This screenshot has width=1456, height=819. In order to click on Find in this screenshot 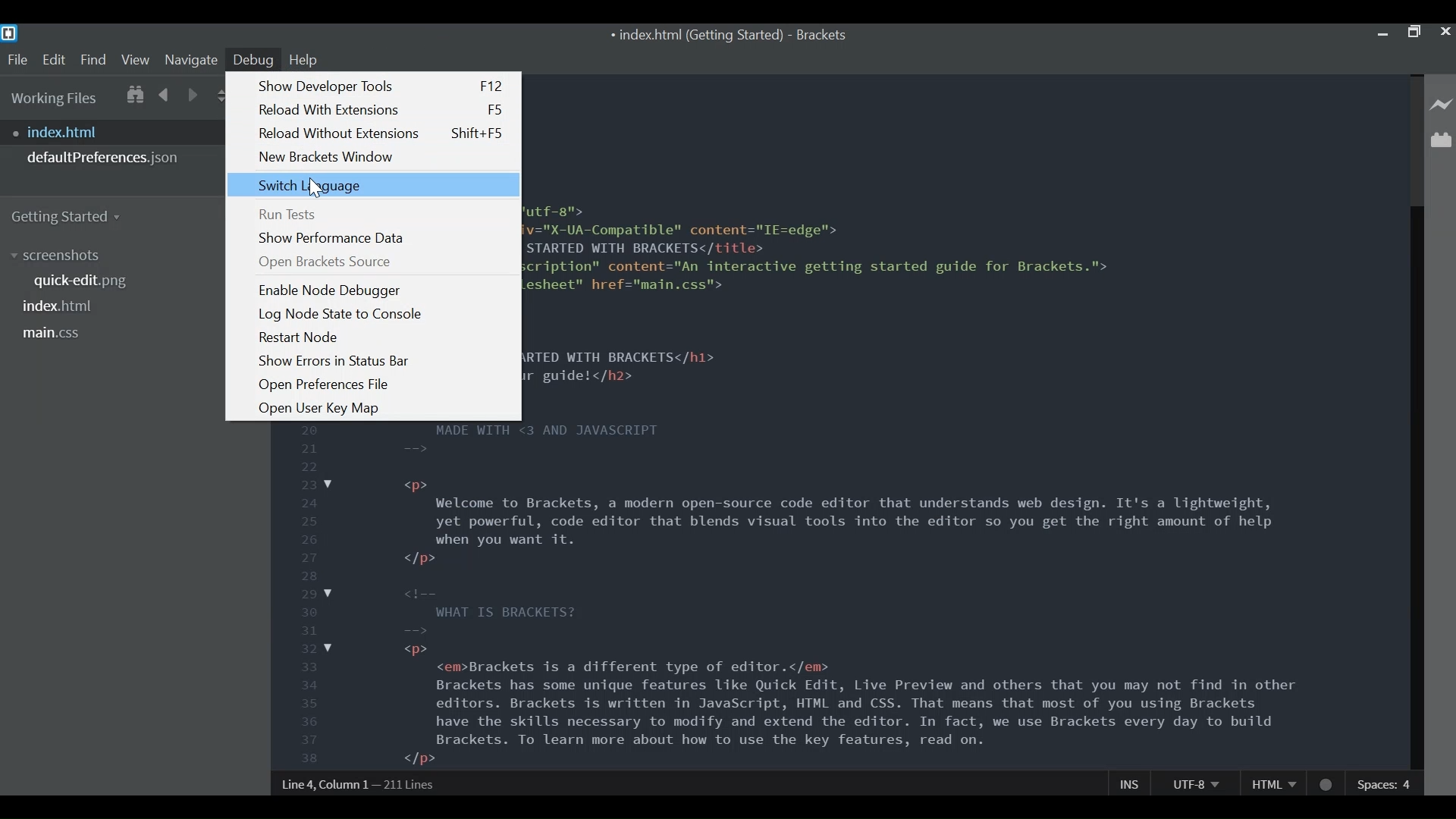, I will do `click(93, 59)`.